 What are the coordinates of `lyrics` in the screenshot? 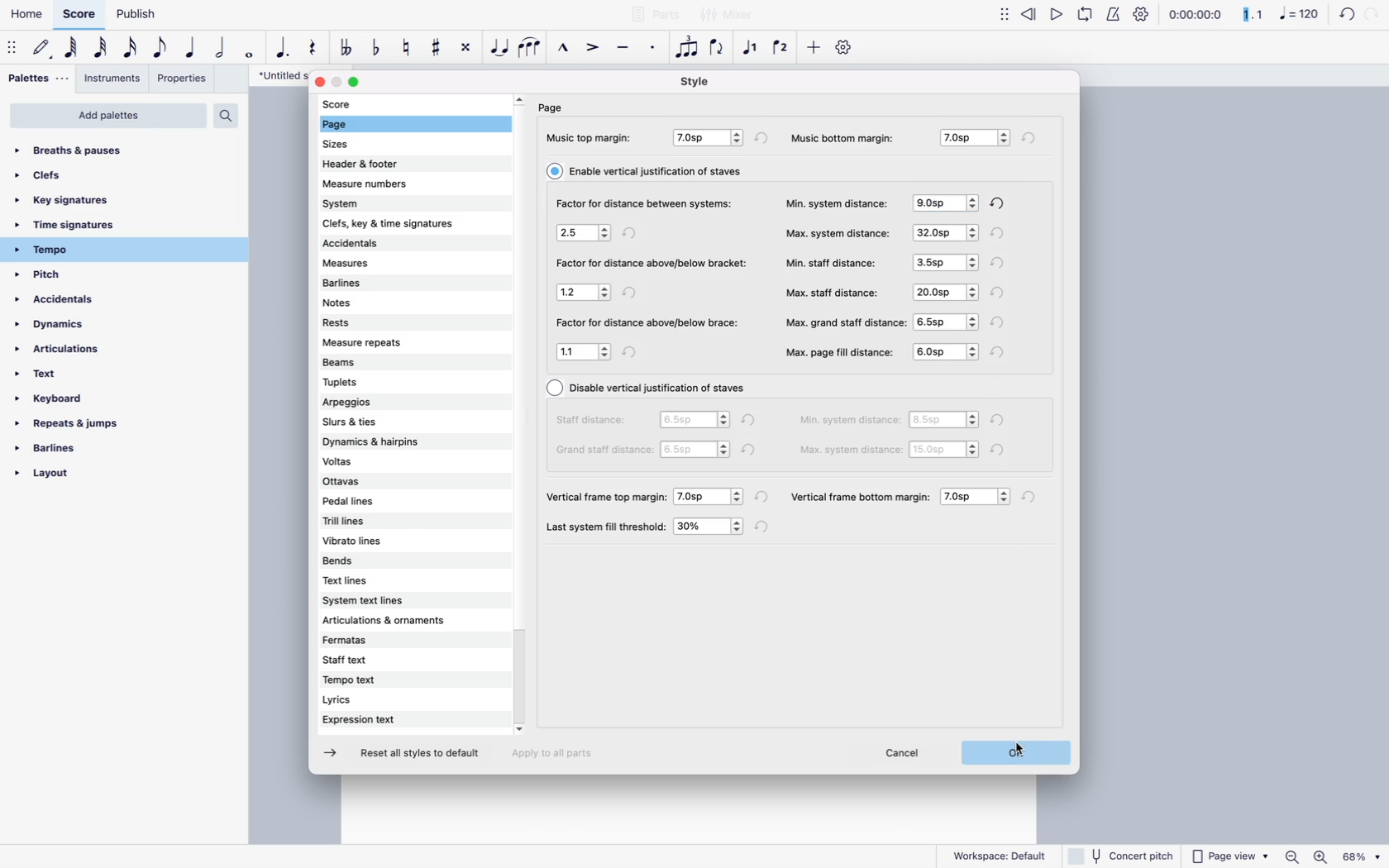 It's located at (379, 701).